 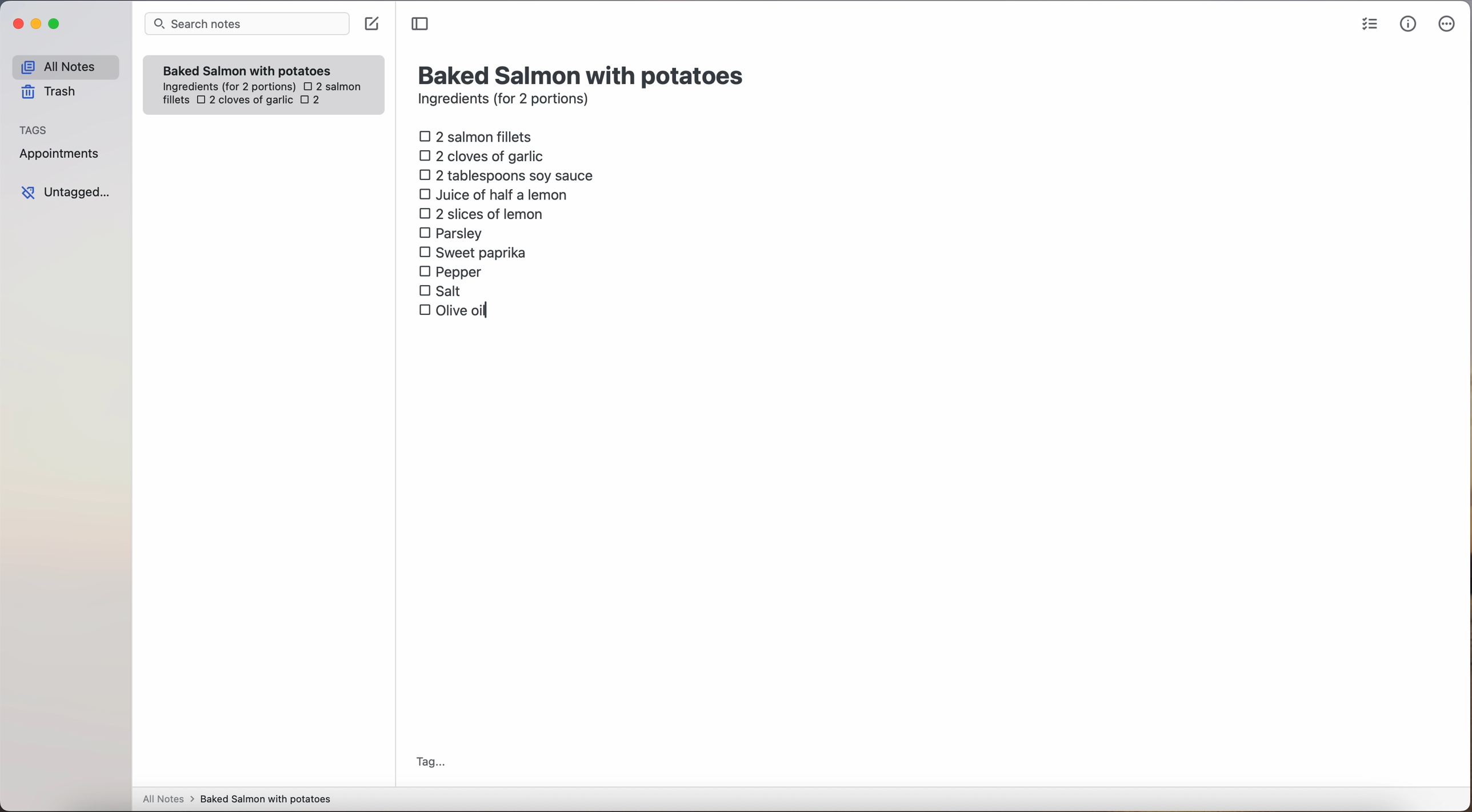 What do you see at coordinates (227, 87) in the screenshot?
I see `ingredientes (for 2 portions)` at bounding box center [227, 87].